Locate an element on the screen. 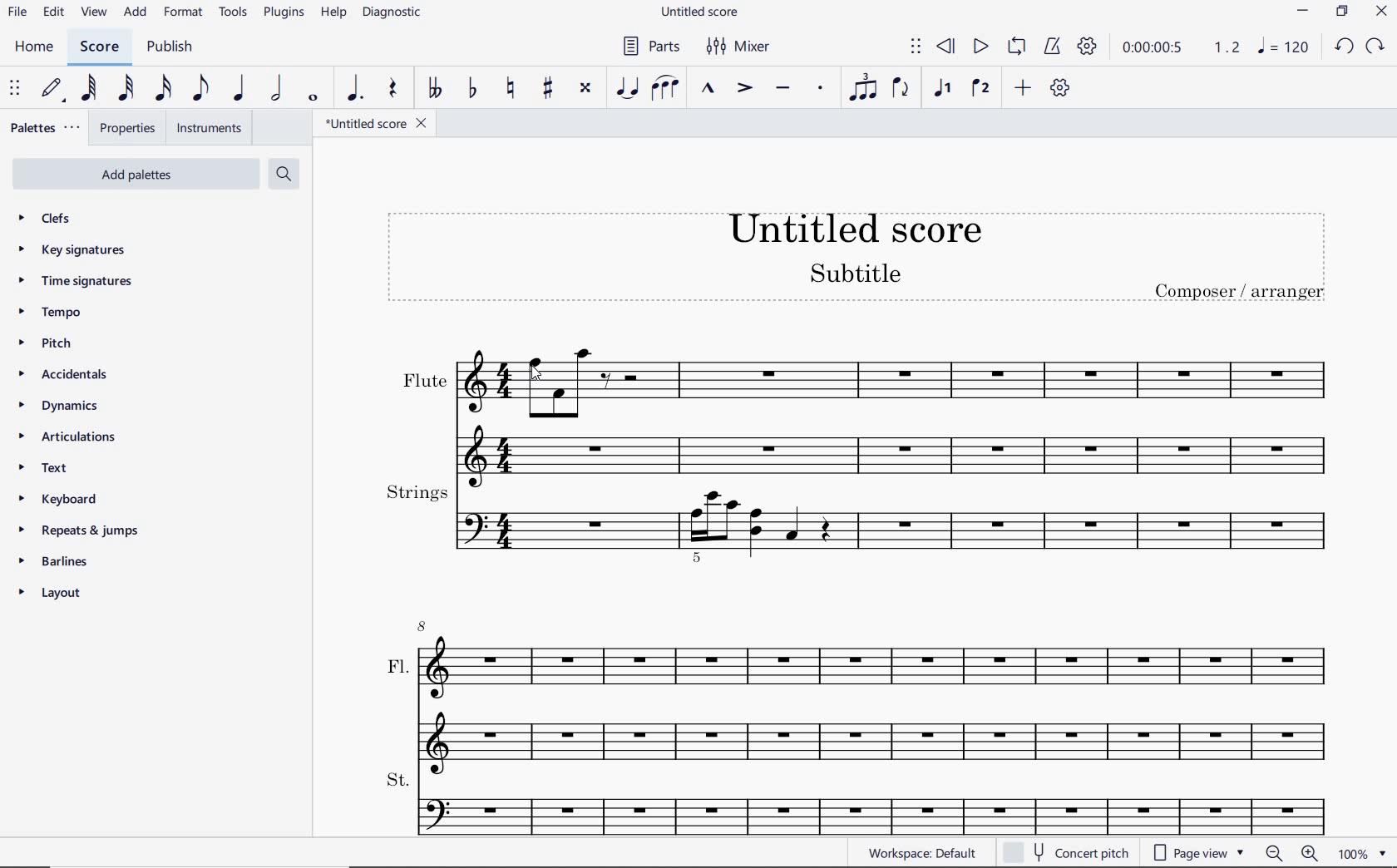  TOGGLE FLAT is located at coordinates (474, 86).